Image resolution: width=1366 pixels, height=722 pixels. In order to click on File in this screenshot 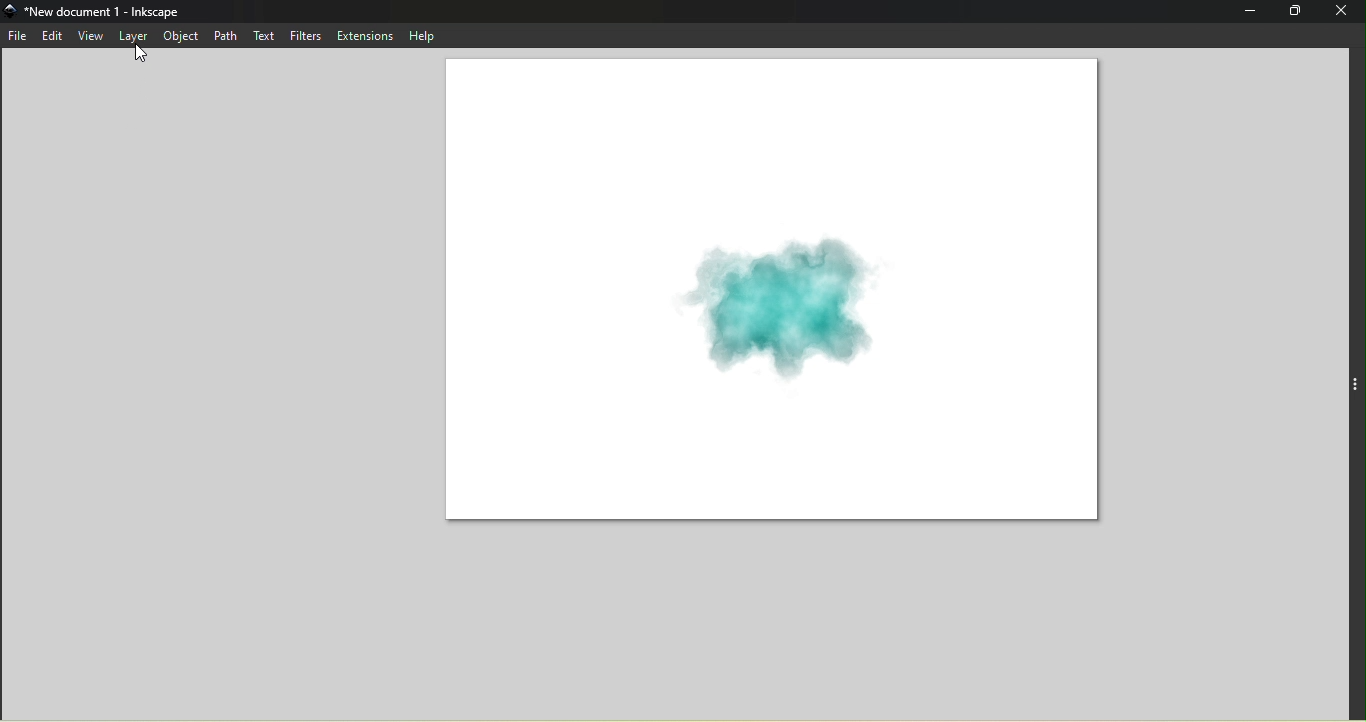, I will do `click(19, 38)`.